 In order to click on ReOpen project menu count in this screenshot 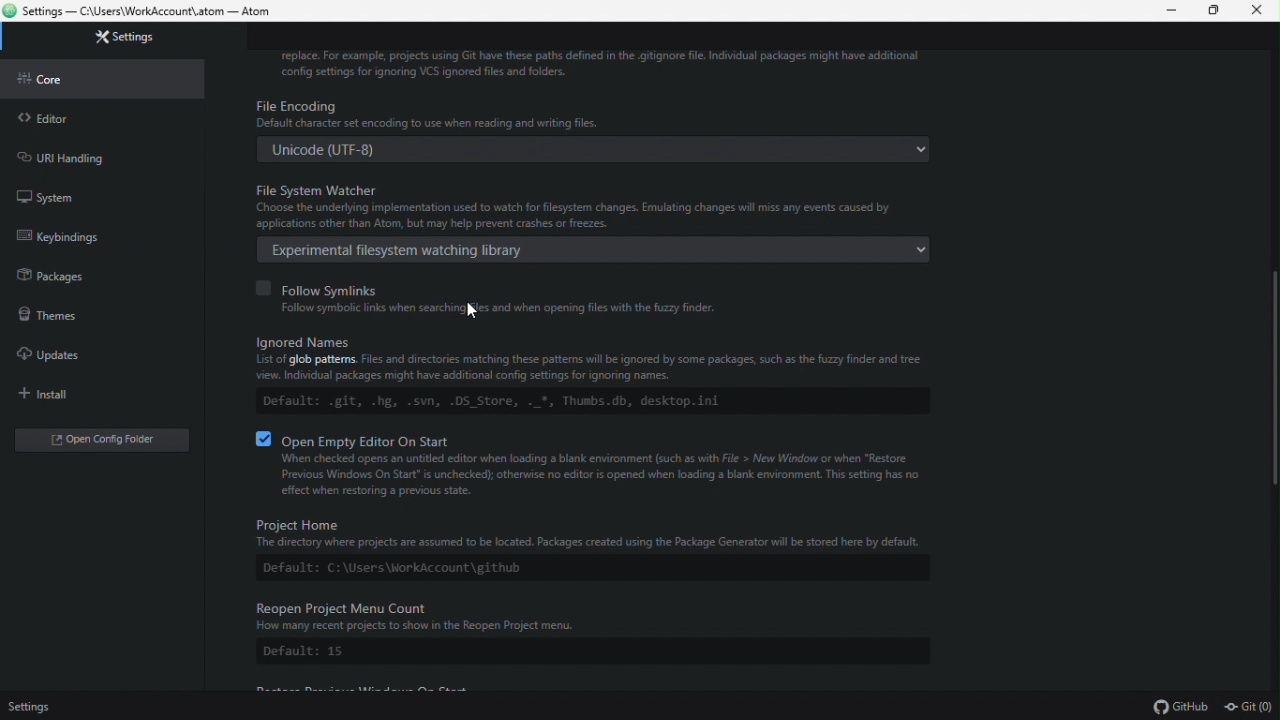, I will do `click(589, 633)`.